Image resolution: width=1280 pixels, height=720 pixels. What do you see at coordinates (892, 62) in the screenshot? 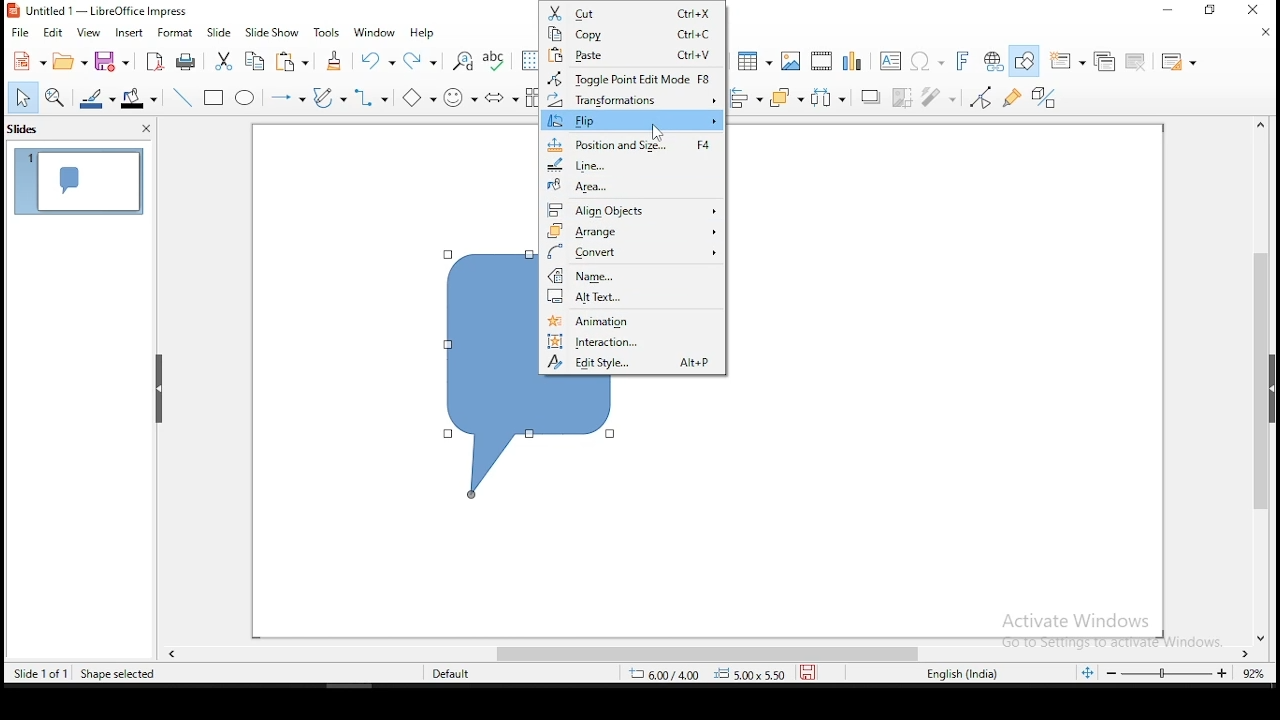
I see `text box` at bounding box center [892, 62].